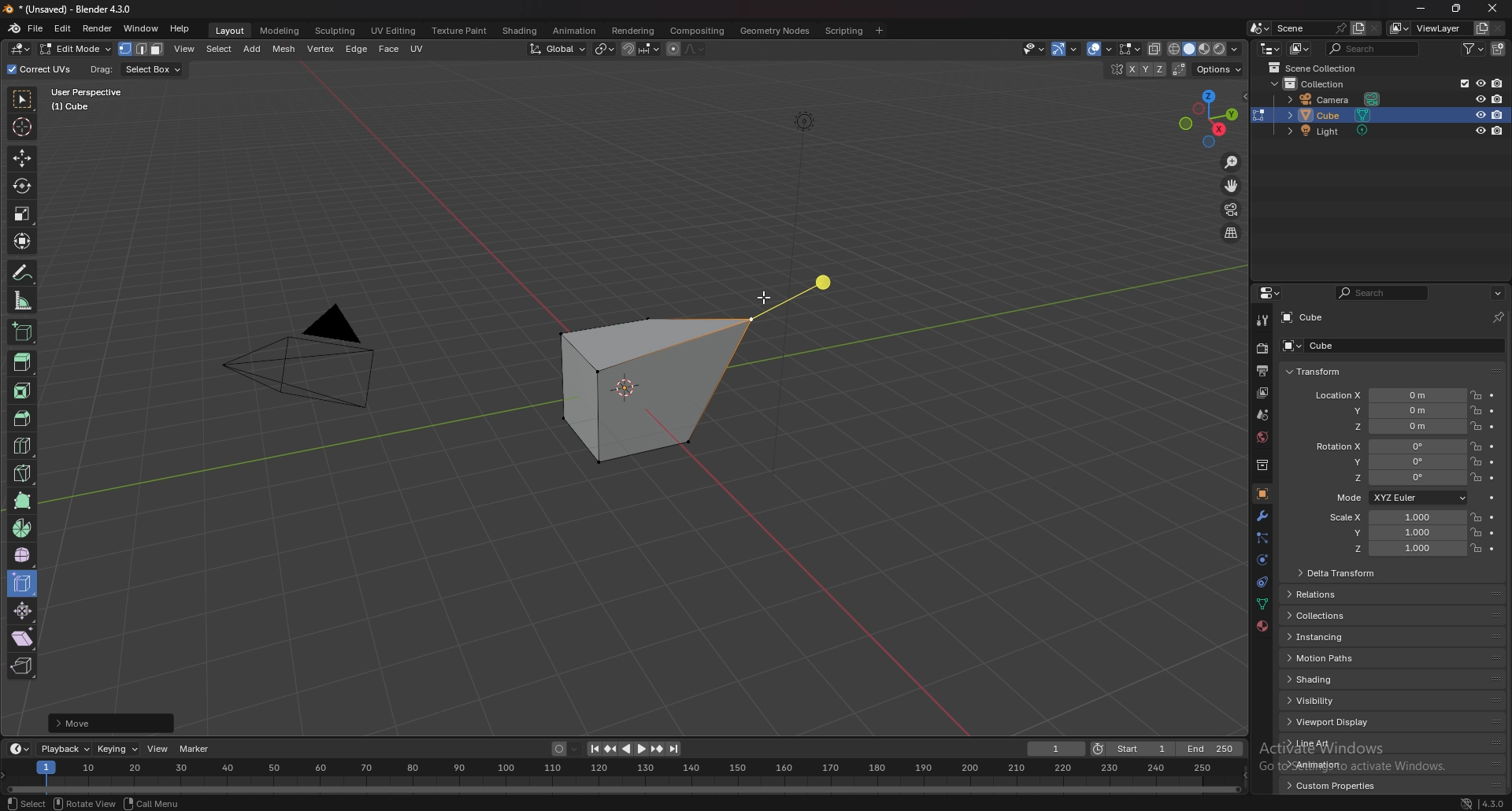 The image size is (1512, 811). I want to click on cube, so click(661, 383).